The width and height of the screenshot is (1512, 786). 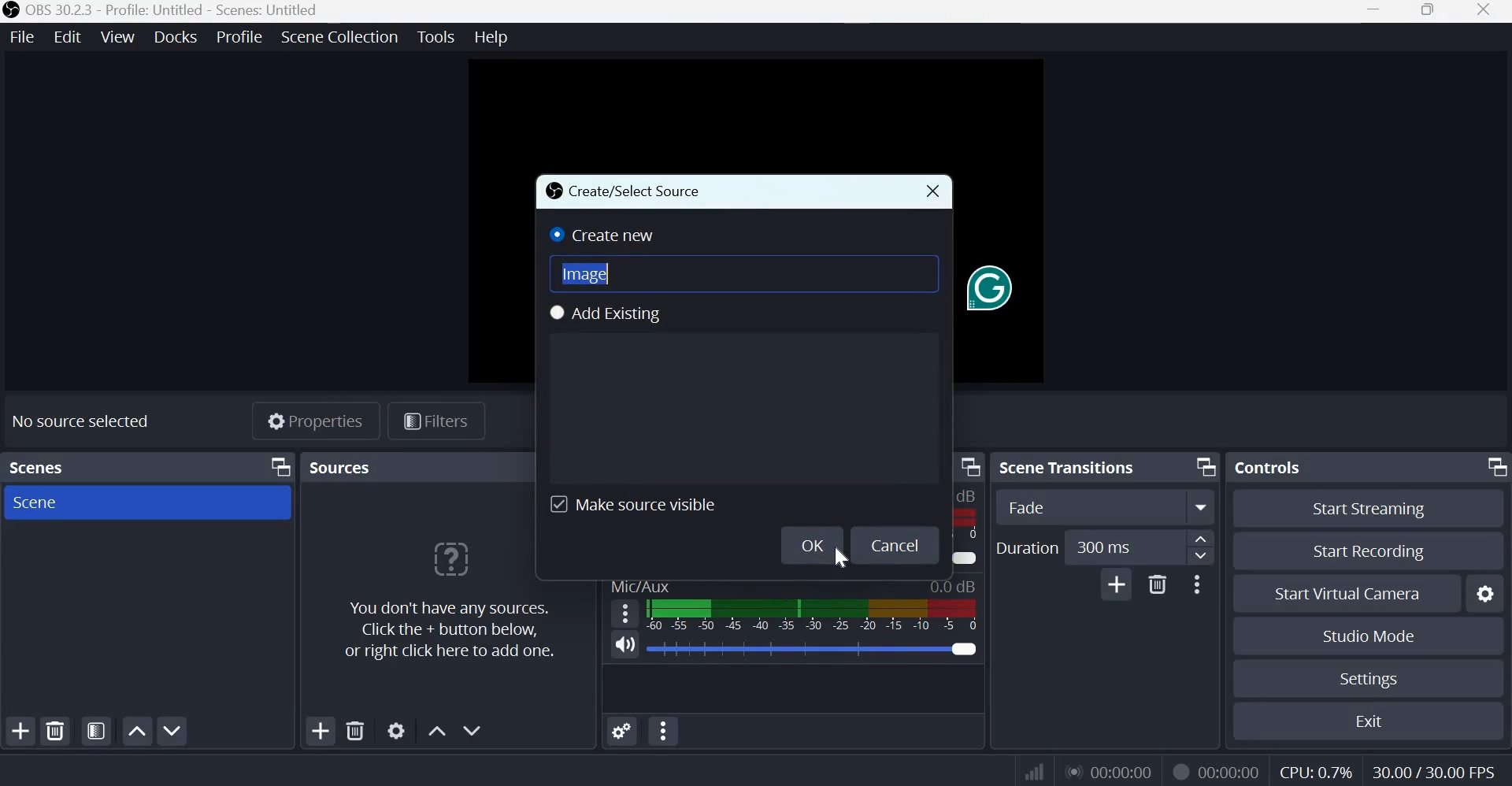 What do you see at coordinates (450, 593) in the screenshot?
I see `You don't have any sources. Click the + button below, or right click here to add more.` at bounding box center [450, 593].